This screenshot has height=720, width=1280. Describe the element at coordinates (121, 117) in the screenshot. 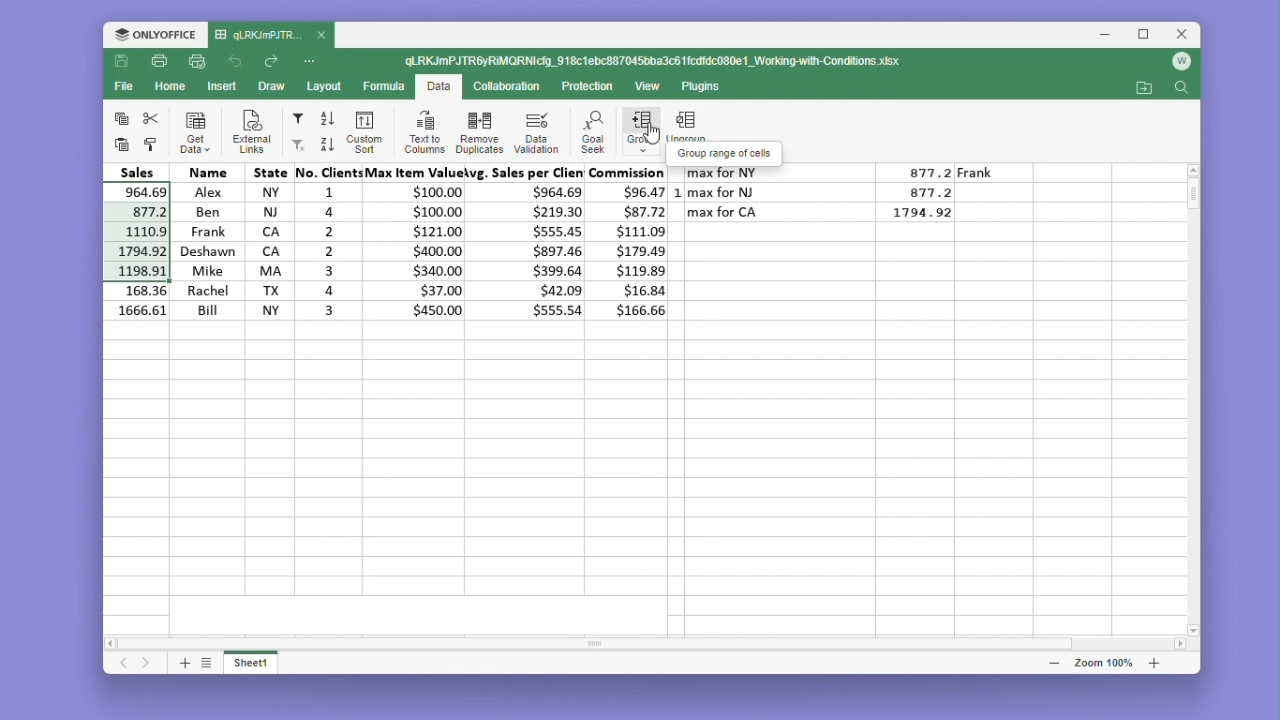

I see `copy` at that location.